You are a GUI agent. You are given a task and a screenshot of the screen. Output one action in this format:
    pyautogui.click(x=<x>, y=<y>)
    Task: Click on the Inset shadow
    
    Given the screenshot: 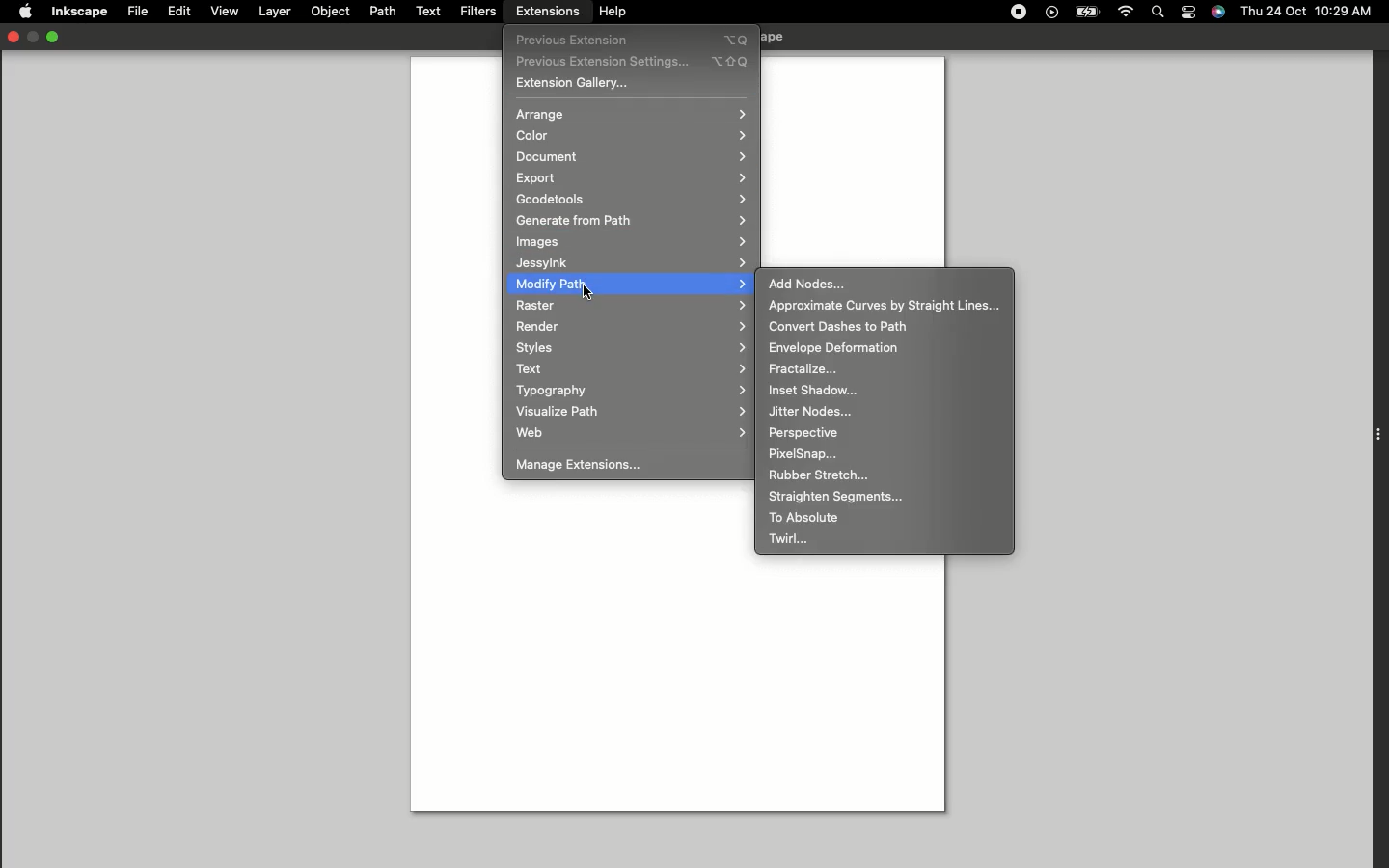 What is the action you would take?
    pyautogui.click(x=814, y=390)
    